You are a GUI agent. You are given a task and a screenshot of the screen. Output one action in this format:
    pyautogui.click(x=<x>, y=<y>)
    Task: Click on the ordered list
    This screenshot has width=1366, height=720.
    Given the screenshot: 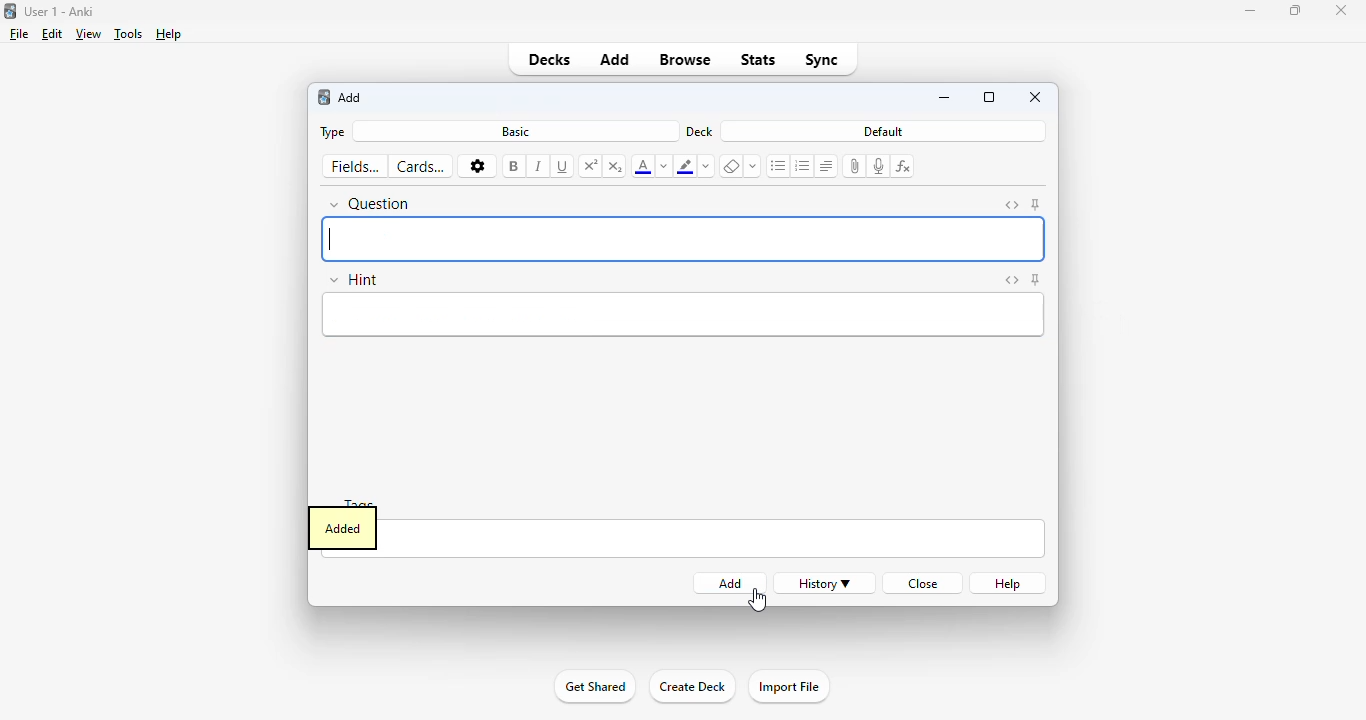 What is the action you would take?
    pyautogui.click(x=803, y=166)
    